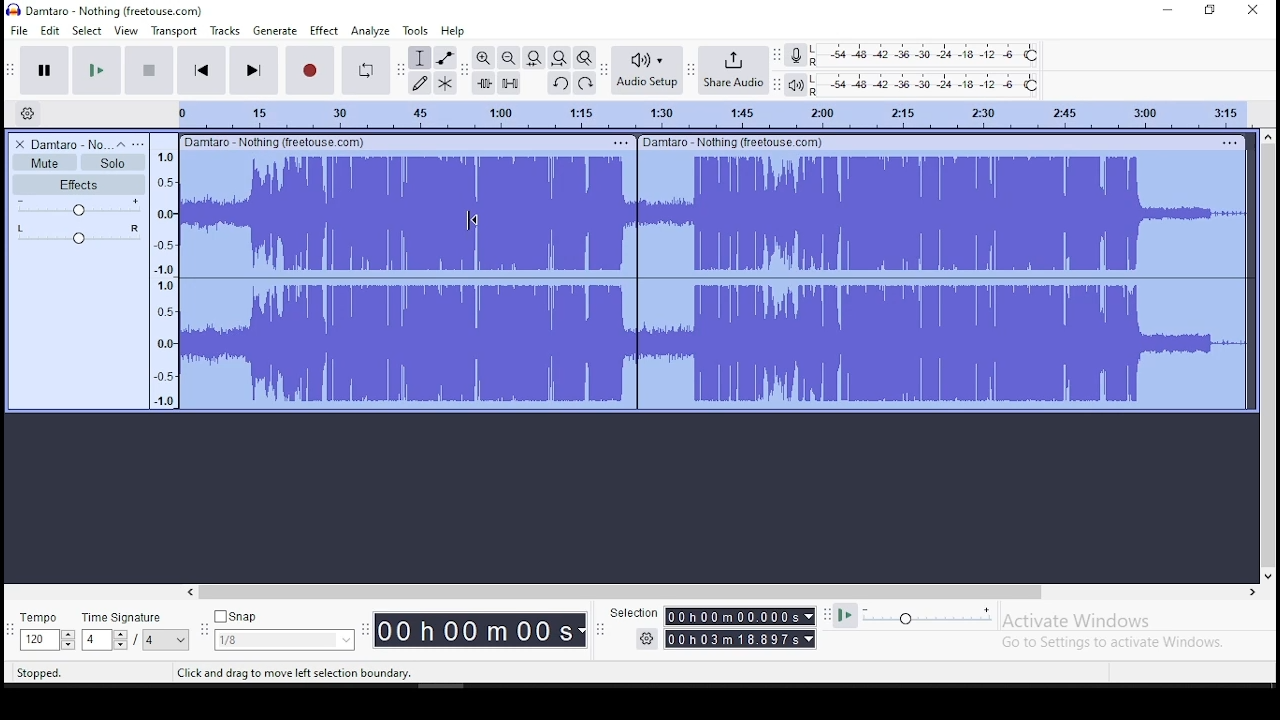 This screenshot has height=720, width=1280. What do you see at coordinates (364, 71) in the screenshot?
I see `enable looping` at bounding box center [364, 71].